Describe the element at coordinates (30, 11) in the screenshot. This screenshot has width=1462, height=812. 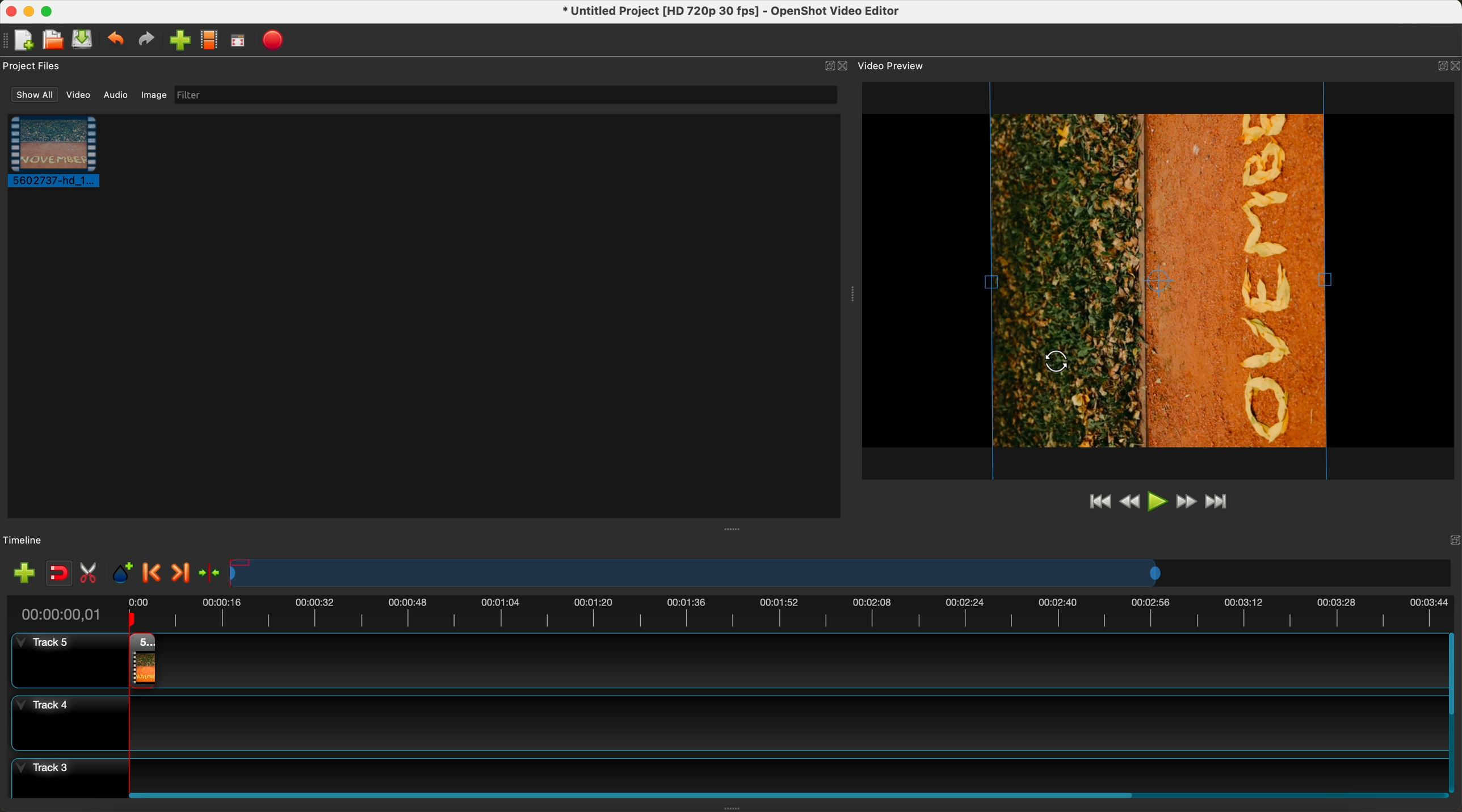
I see `minimize` at that location.